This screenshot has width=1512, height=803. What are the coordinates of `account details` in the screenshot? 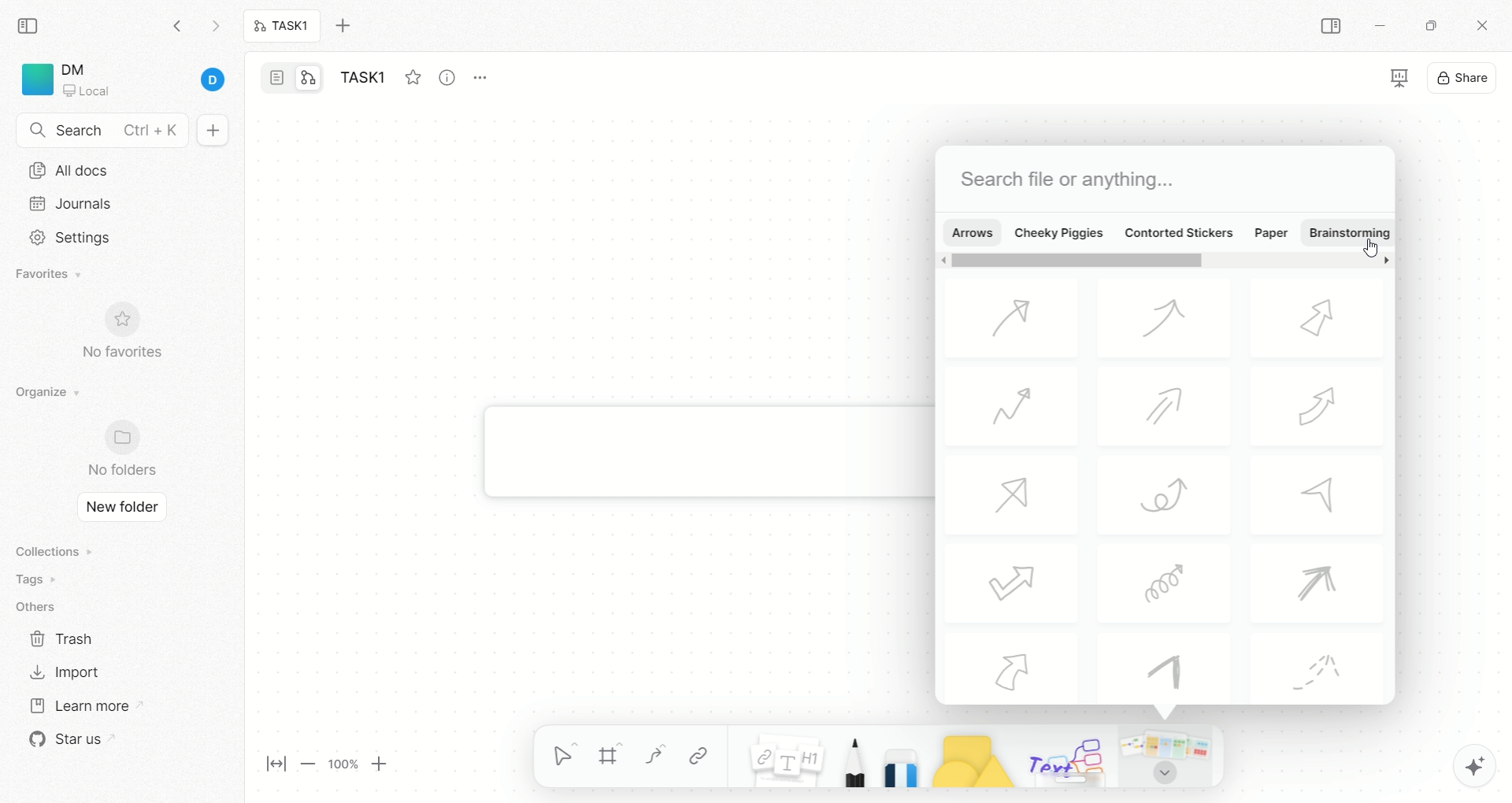 It's located at (147, 81).